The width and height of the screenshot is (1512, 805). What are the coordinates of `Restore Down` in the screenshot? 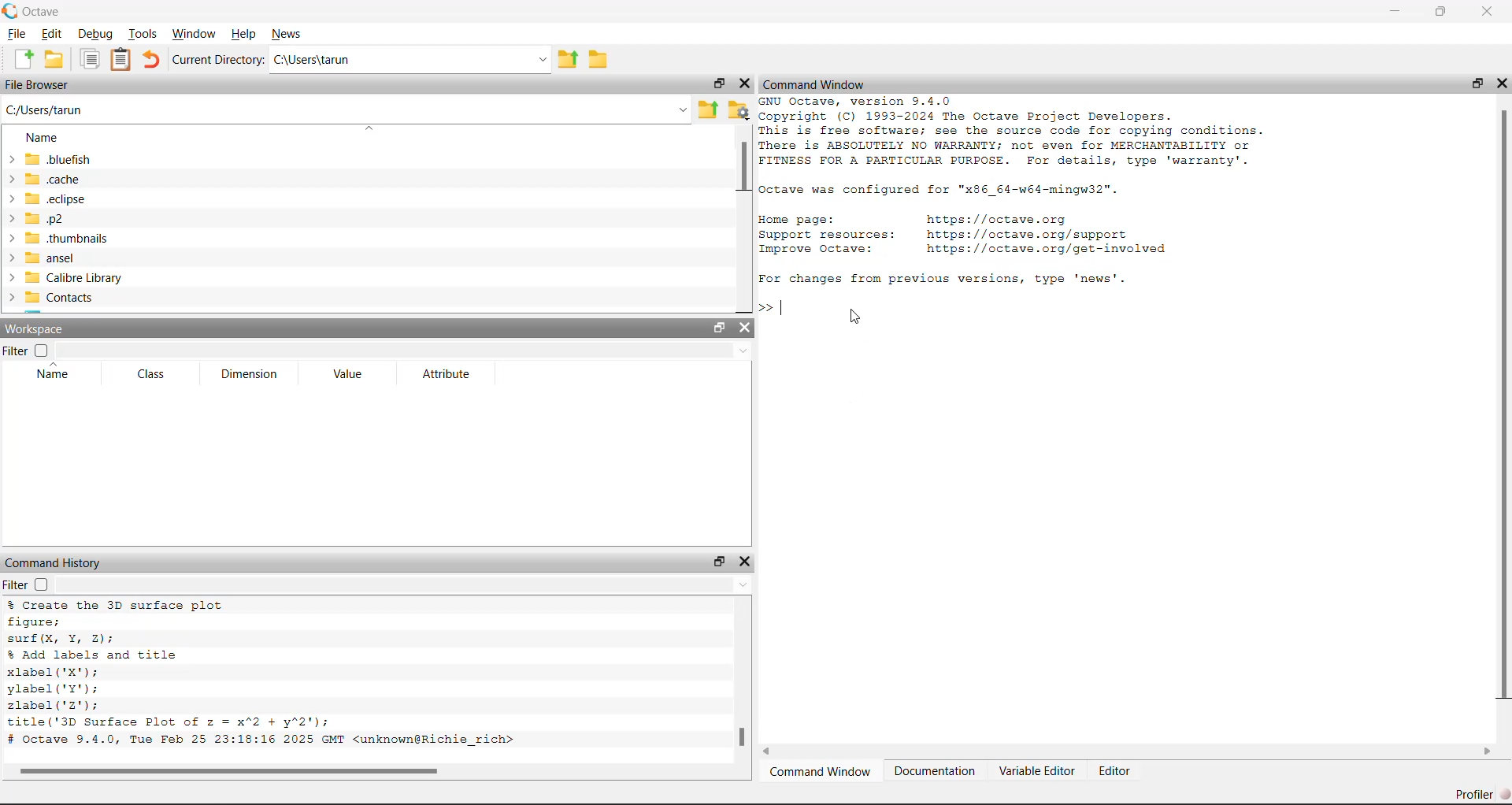 It's located at (1440, 10).